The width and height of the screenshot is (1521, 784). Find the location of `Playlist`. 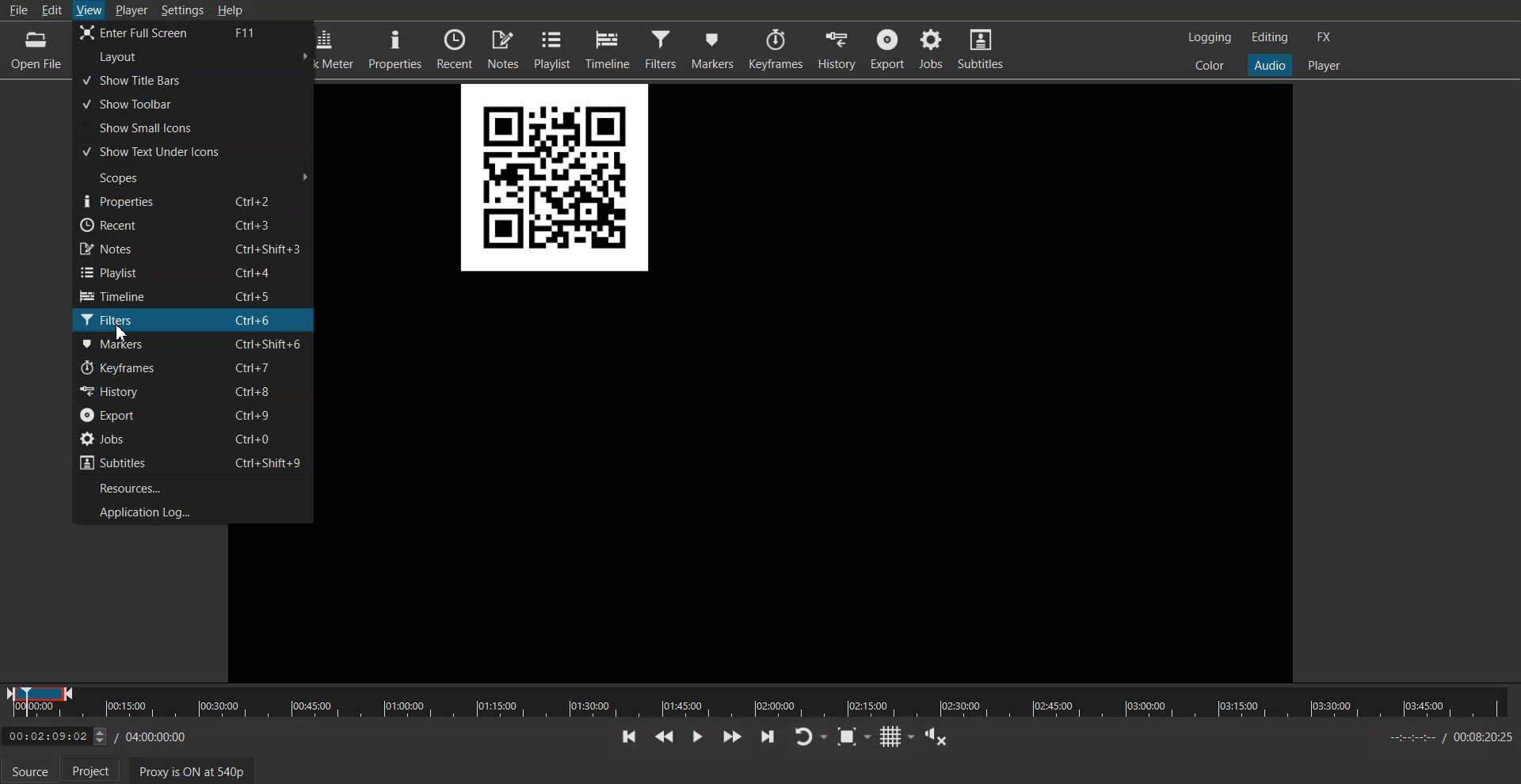

Playlist is located at coordinates (553, 48).